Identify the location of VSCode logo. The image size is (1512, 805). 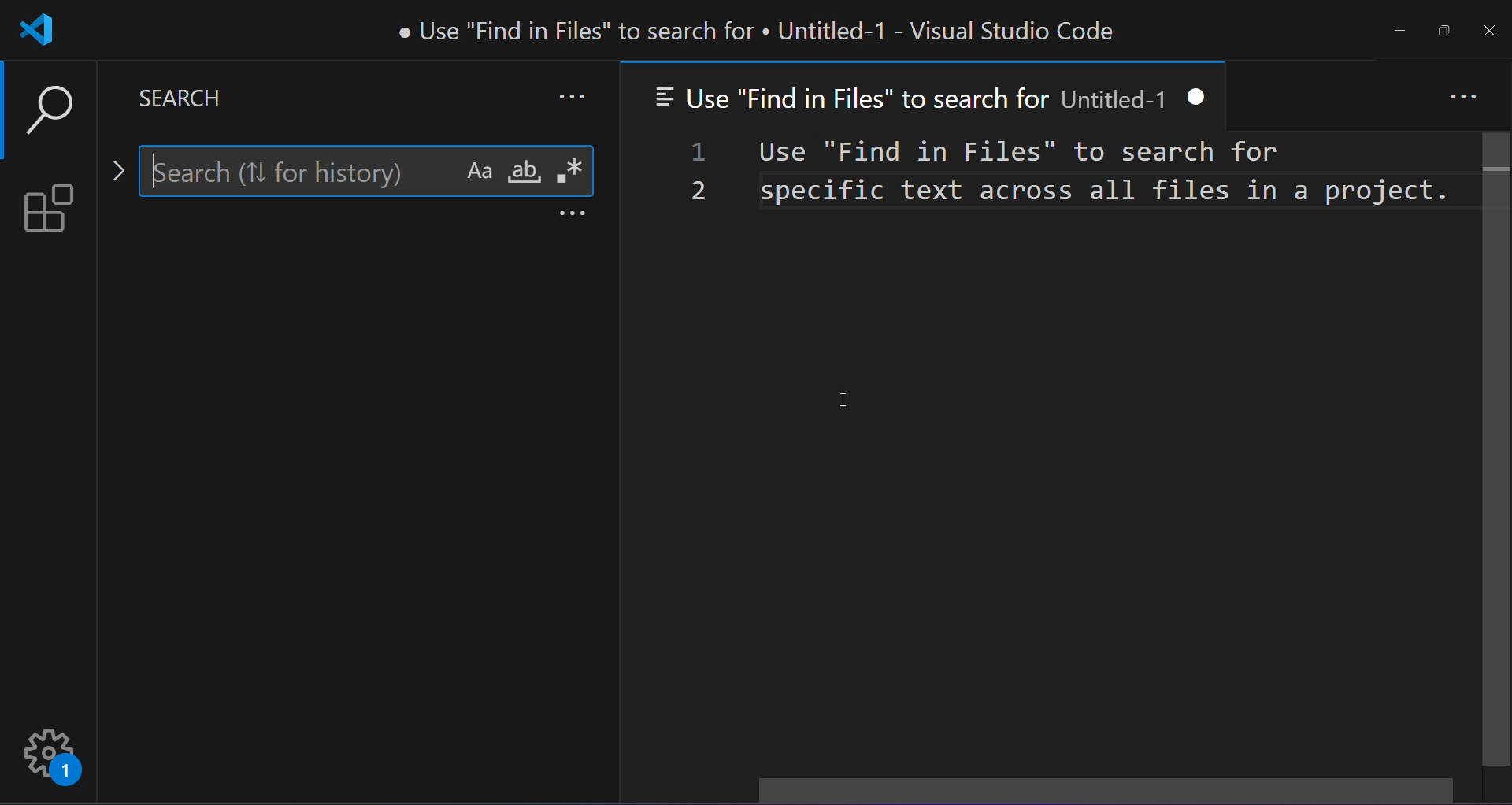
(51, 33).